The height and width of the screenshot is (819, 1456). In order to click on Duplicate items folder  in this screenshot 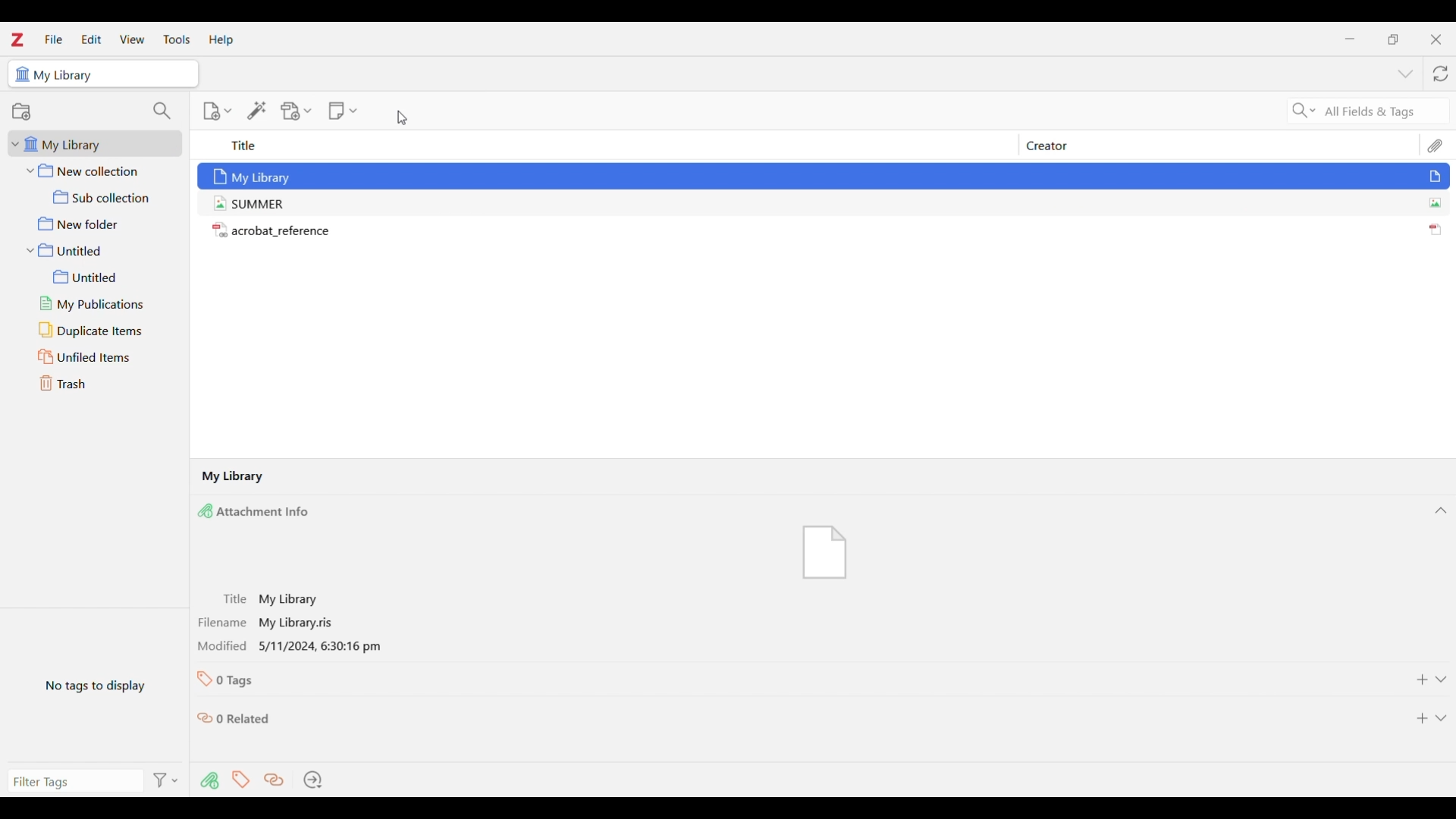, I will do `click(100, 330)`.